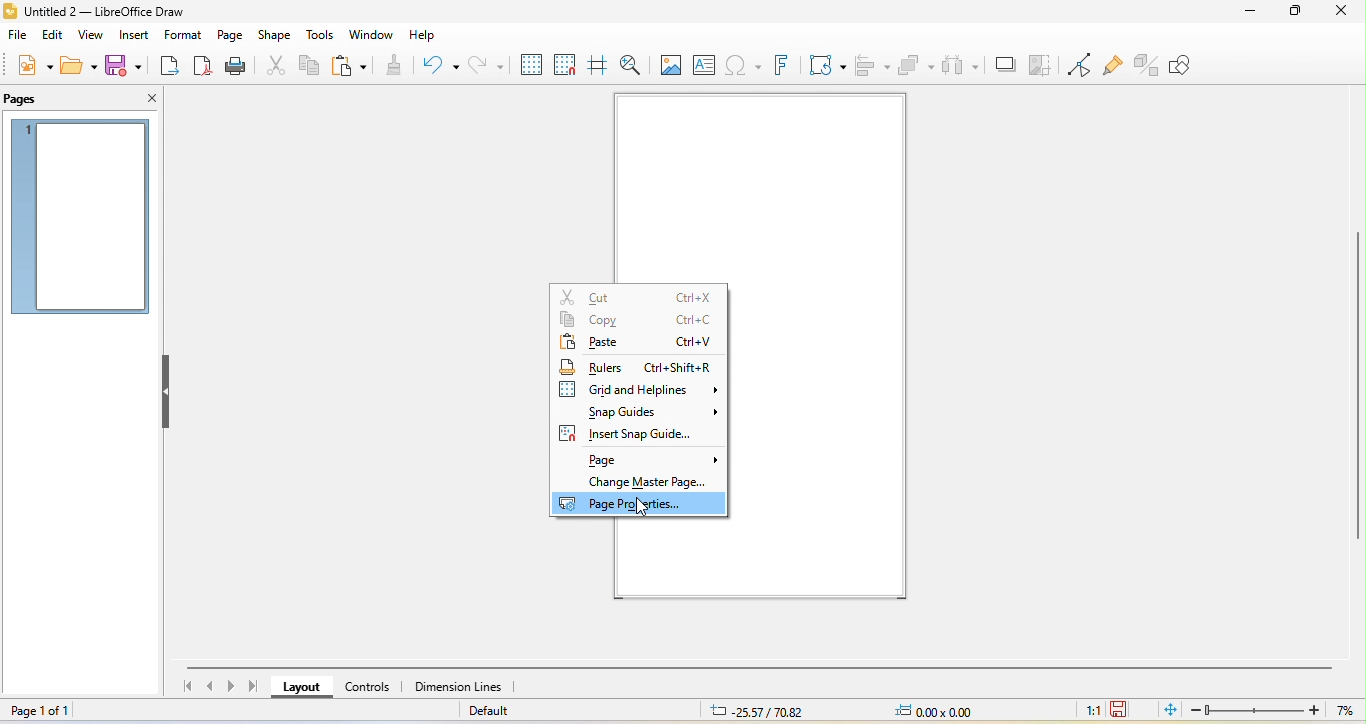  What do you see at coordinates (395, 65) in the screenshot?
I see `clone formatting` at bounding box center [395, 65].